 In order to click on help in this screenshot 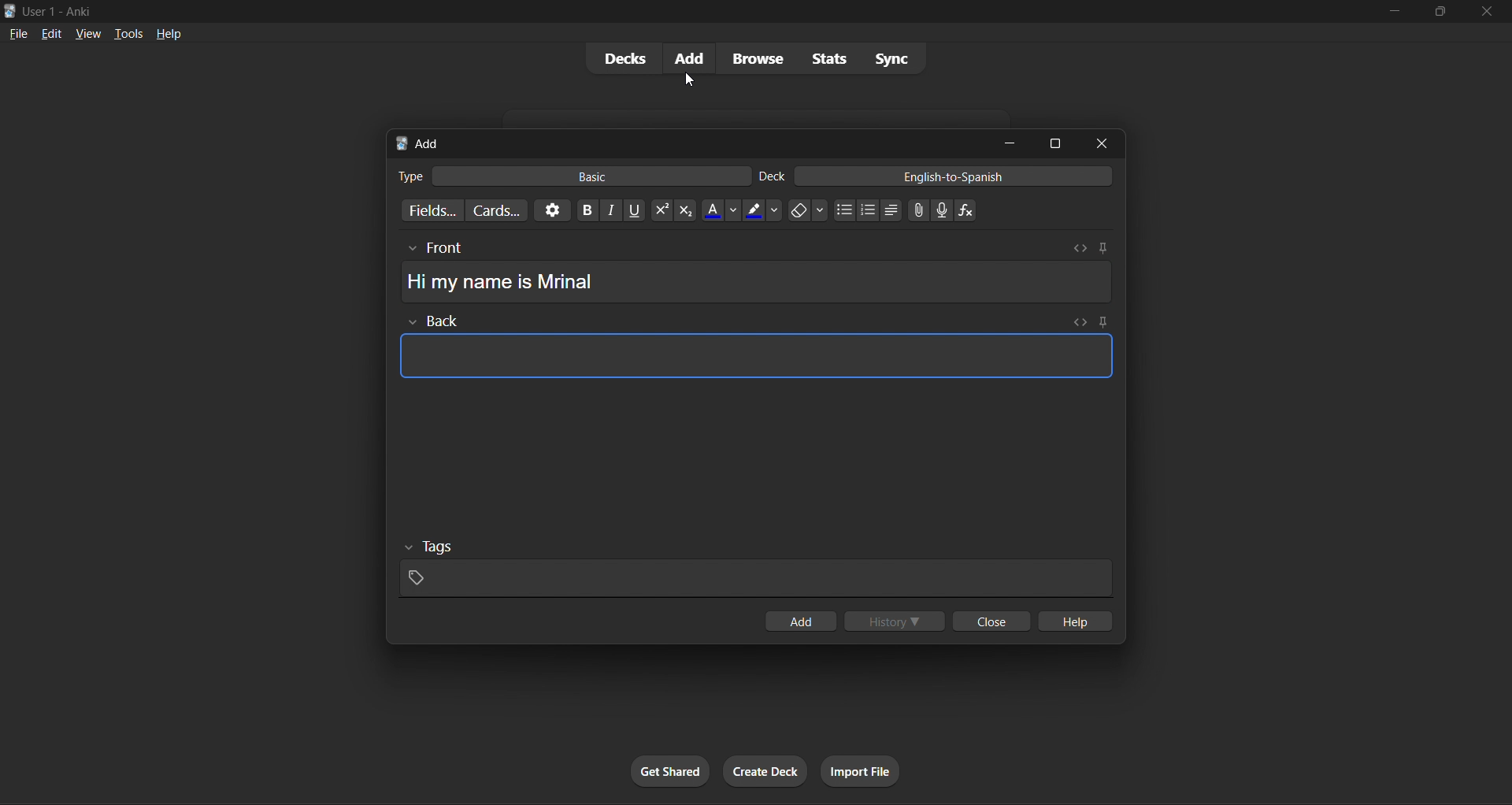, I will do `click(1077, 618)`.